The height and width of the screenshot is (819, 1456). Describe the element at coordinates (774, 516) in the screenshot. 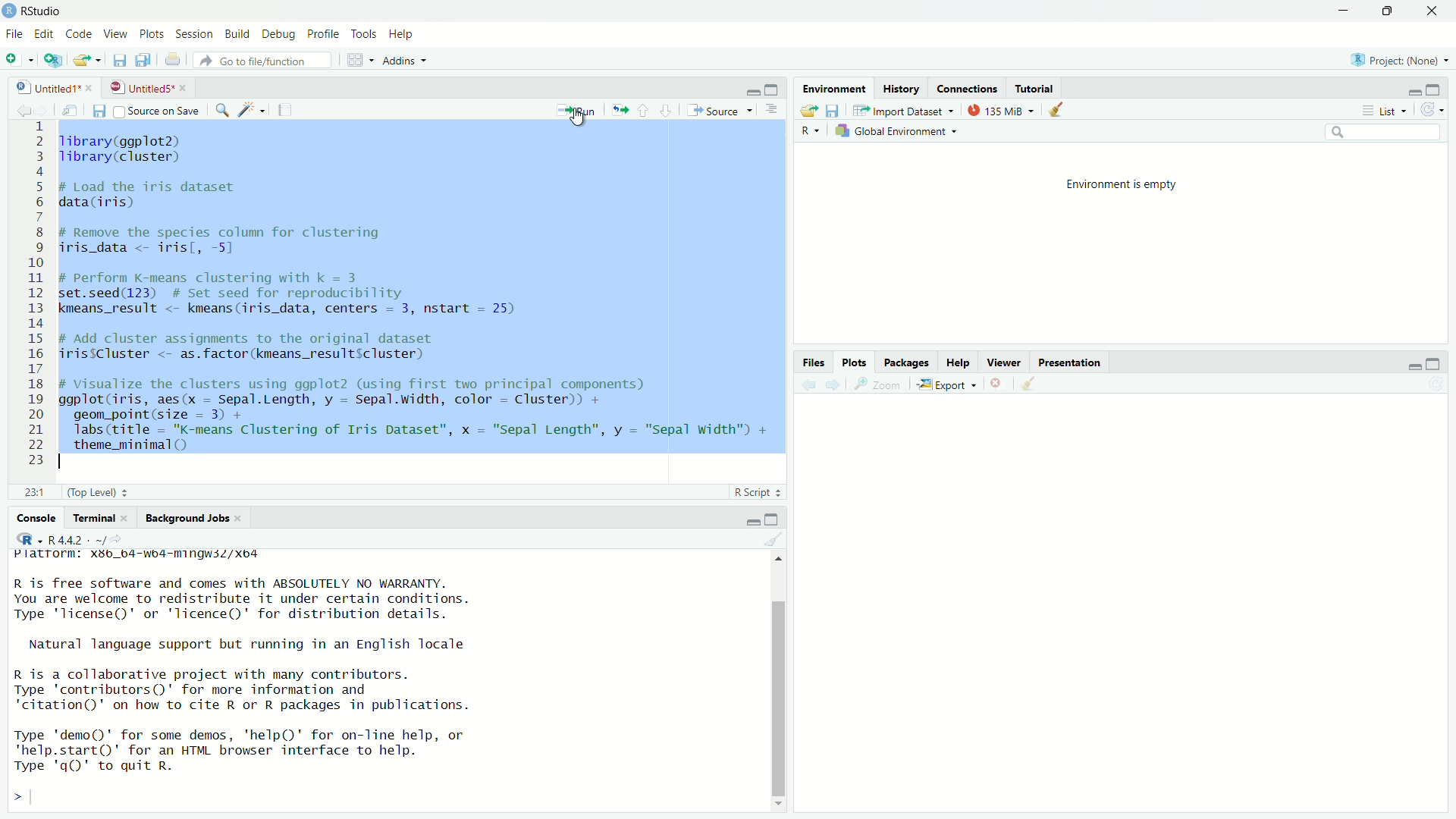

I see `maximize` at that location.